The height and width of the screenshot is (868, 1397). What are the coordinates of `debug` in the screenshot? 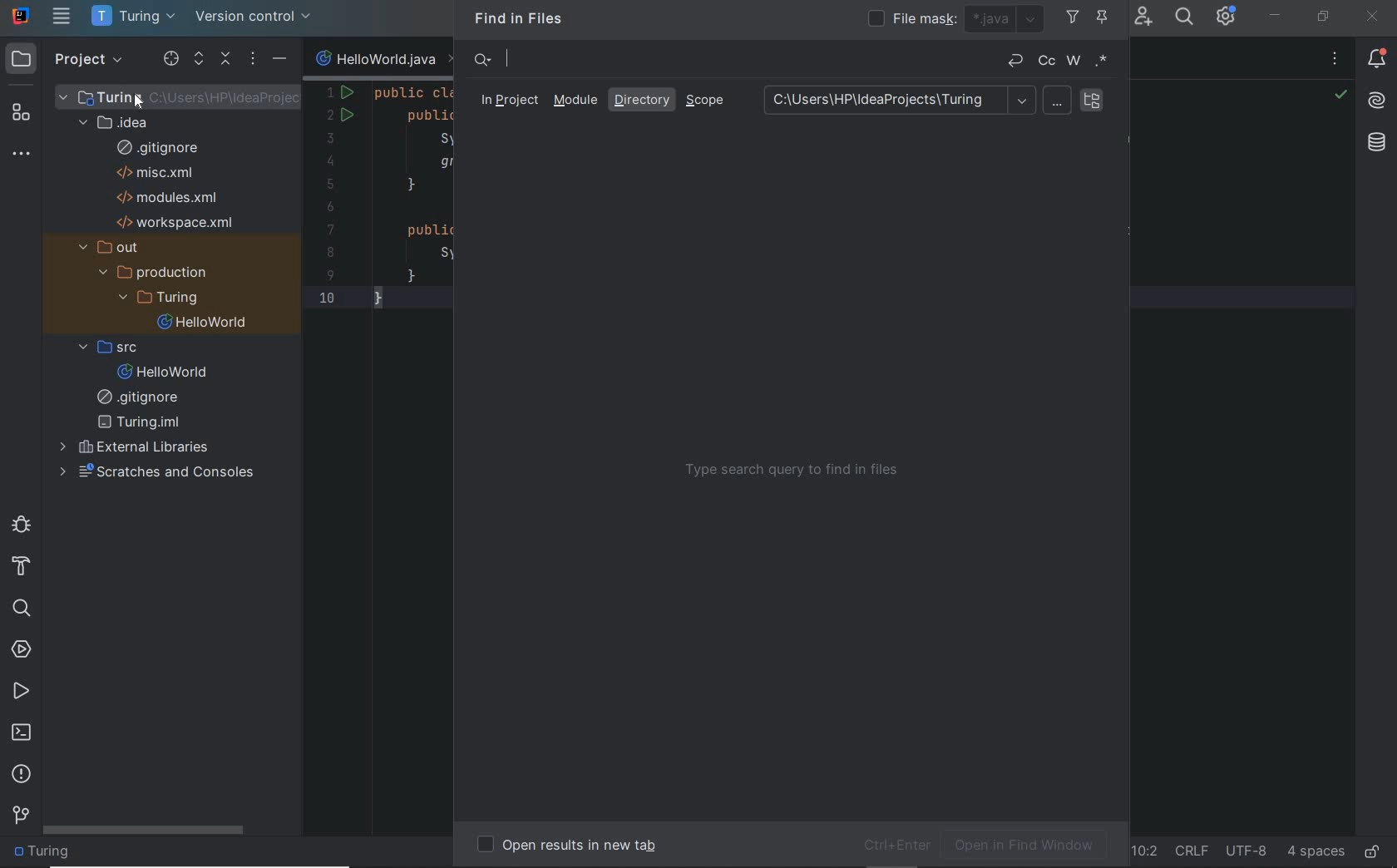 It's located at (21, 527).